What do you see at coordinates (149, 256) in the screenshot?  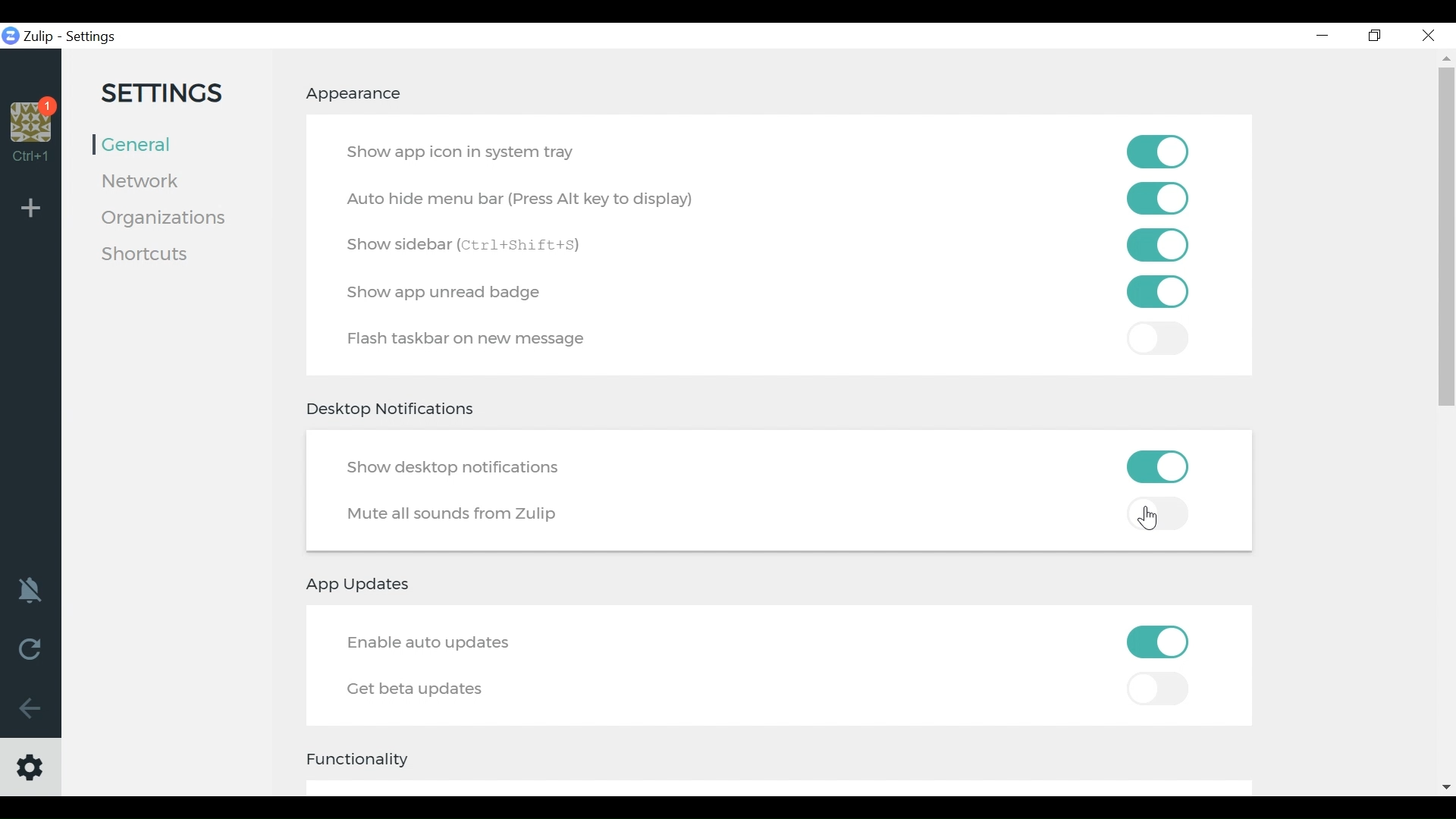 I see `Shortcuts` at bounding box center [149, 256].